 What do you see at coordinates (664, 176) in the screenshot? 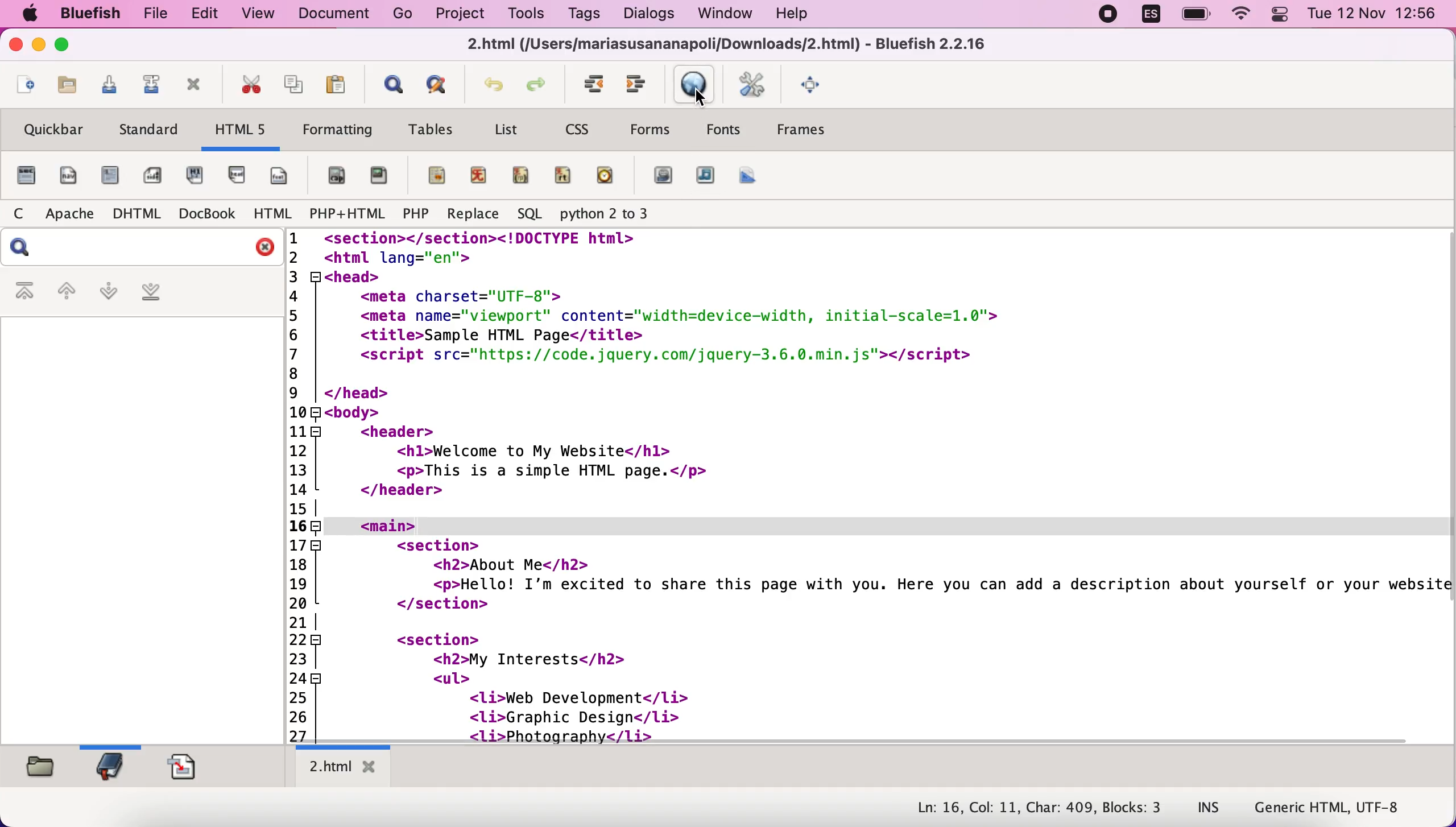
I see `insert image` at bounding box center [664, 176].